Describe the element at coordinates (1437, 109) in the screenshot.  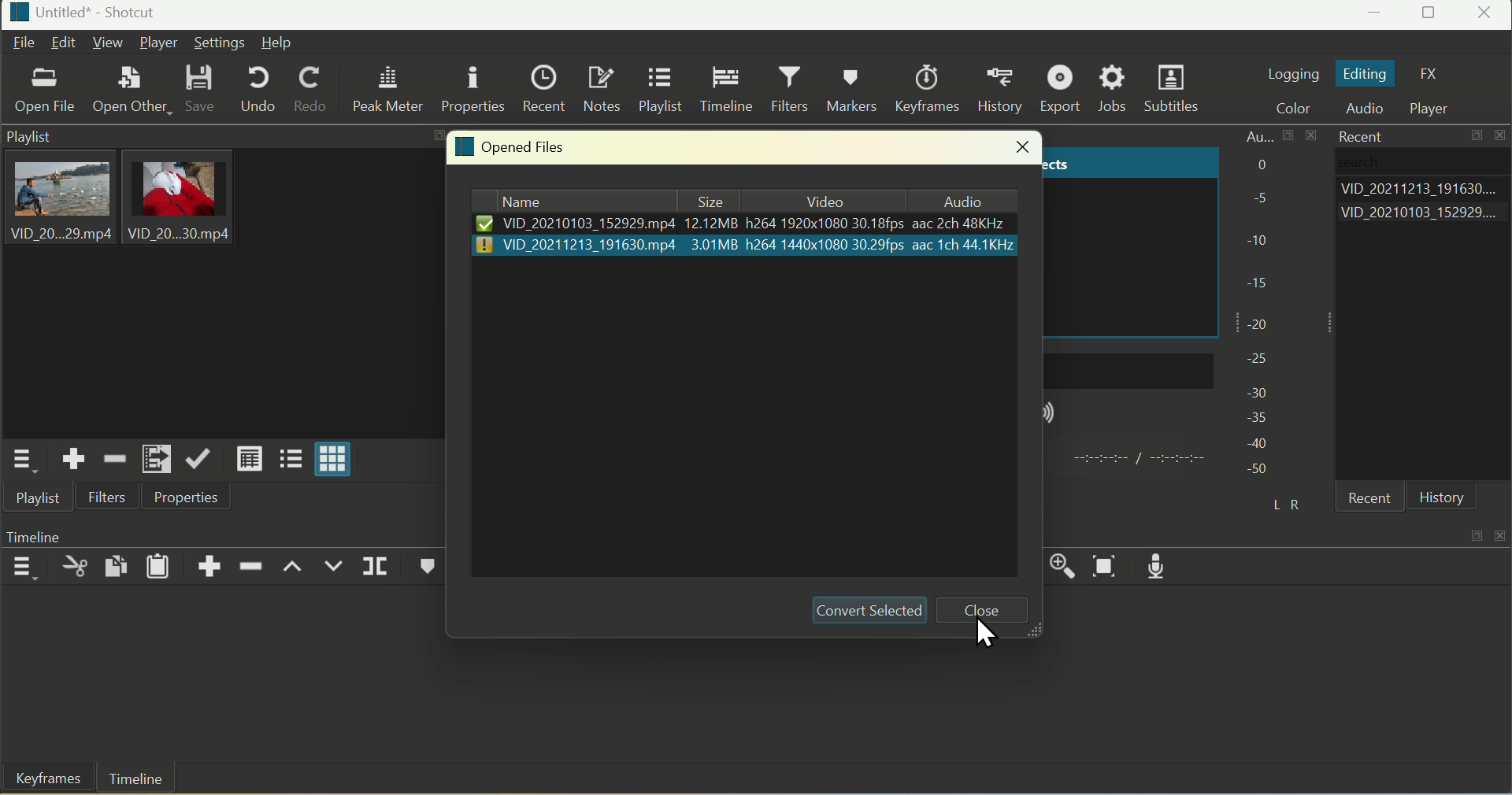
I see `Player` at that location.